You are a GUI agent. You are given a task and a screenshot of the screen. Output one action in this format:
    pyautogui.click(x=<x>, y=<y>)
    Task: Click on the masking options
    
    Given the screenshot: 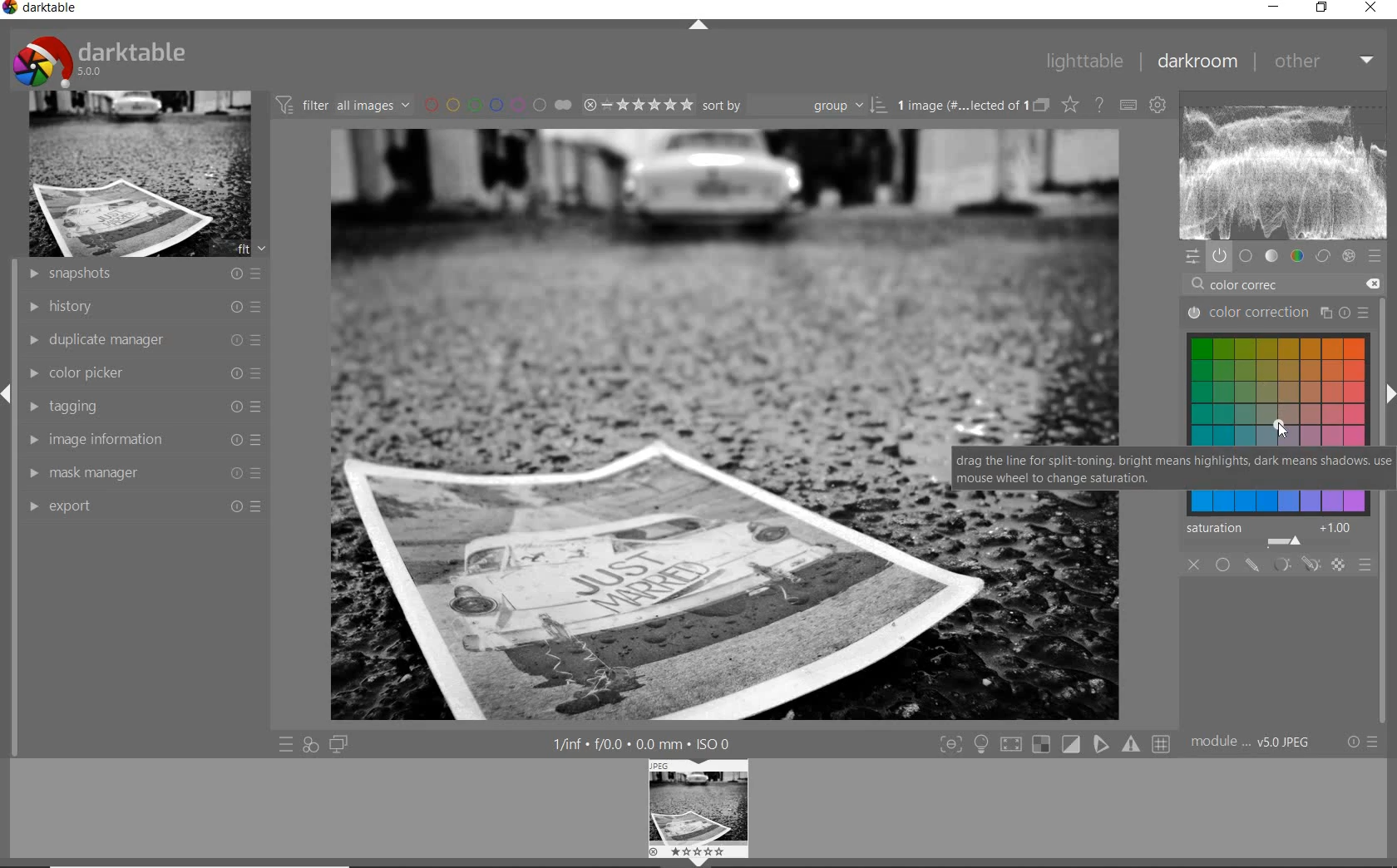 What is the action you would take?
    pyautogui.click(x=1293, y=565)
    